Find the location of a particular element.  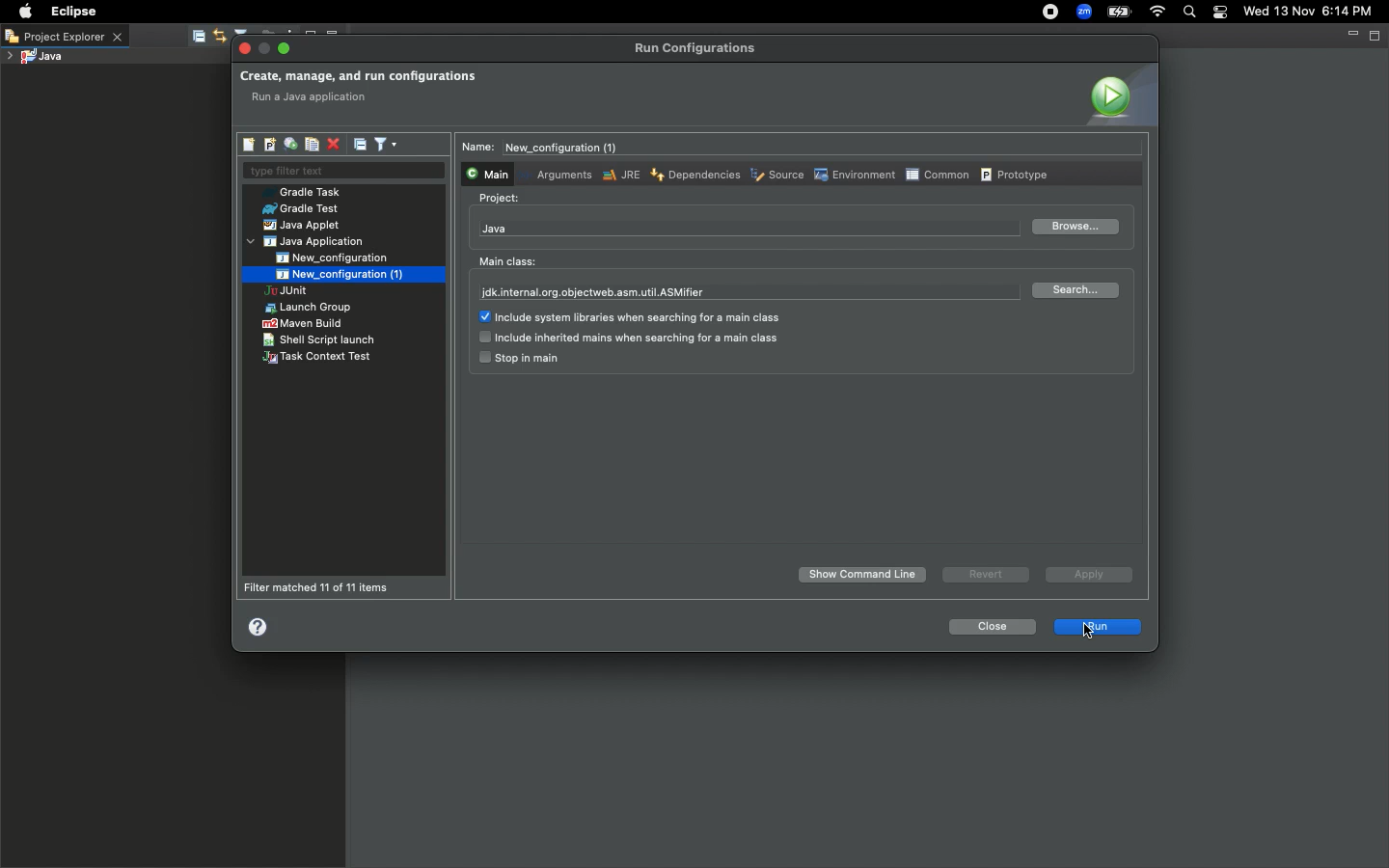

Gradle task is located at coordinates (308, 192).